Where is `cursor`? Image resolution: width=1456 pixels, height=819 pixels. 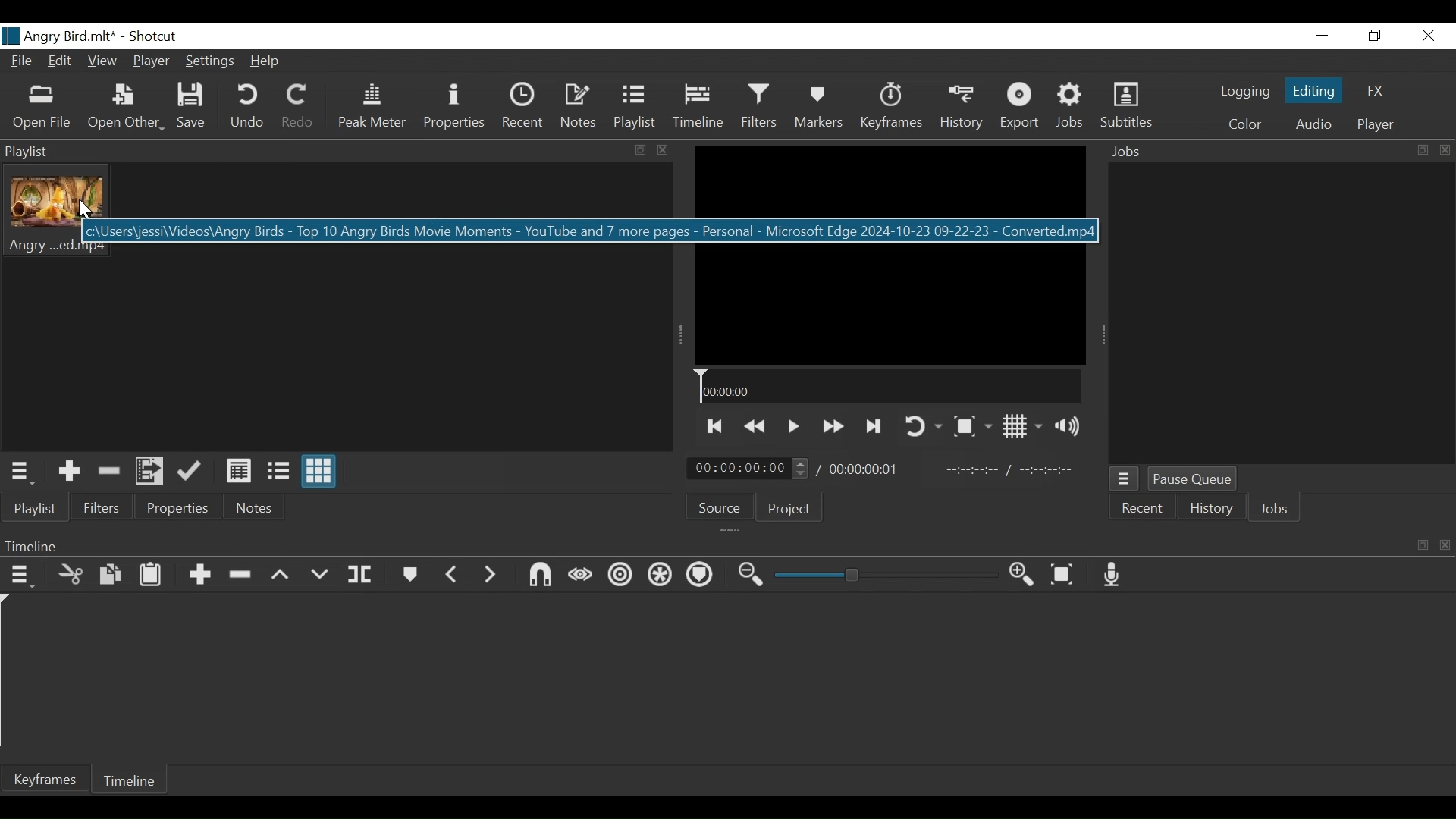
cursor is located at coordinates (84, 214).